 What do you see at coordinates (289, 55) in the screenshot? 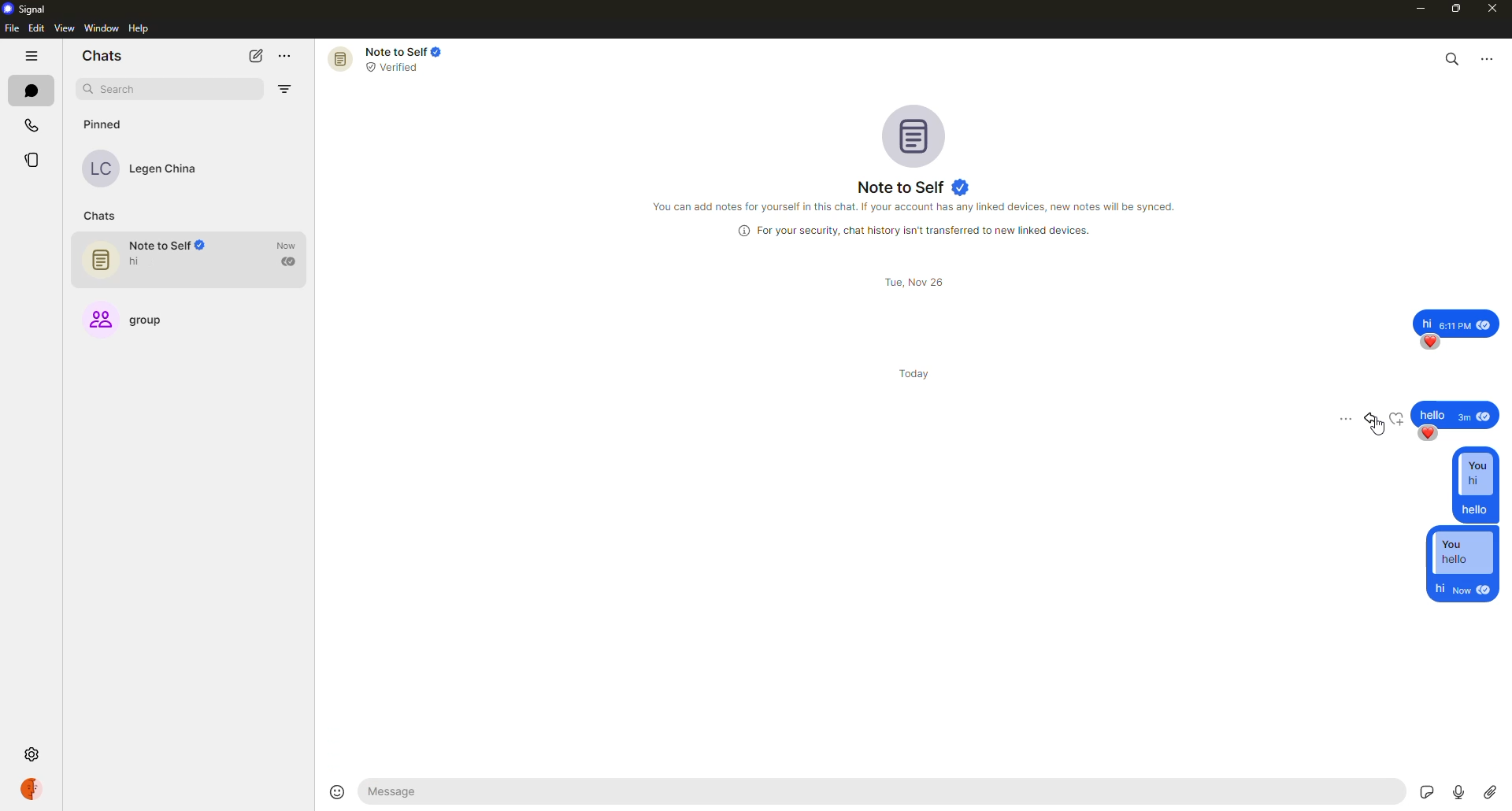
I see `more` at bounding box center [289, 55].